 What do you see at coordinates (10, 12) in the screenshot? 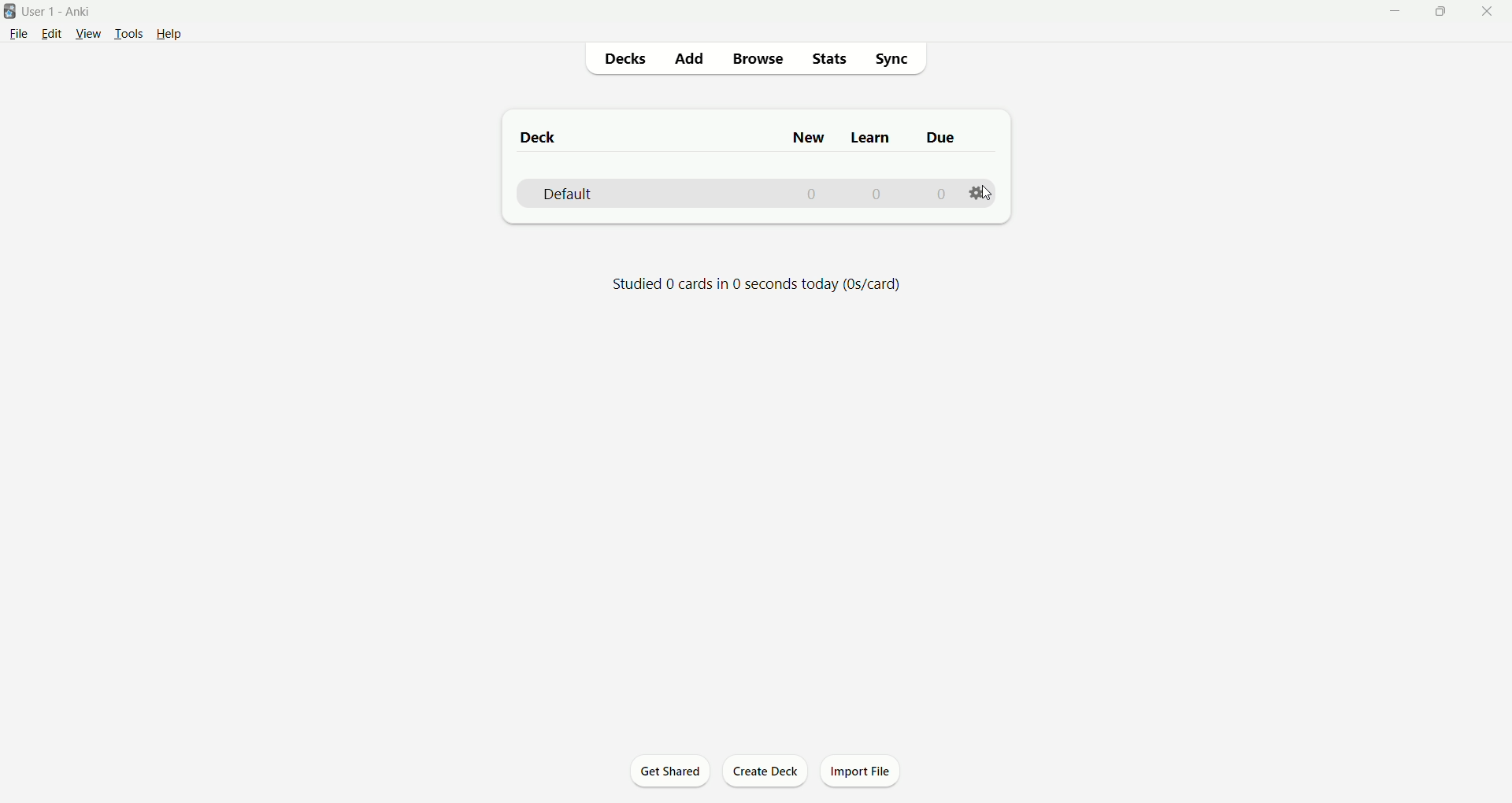
I see `logo` at bounding box center [10, 12].